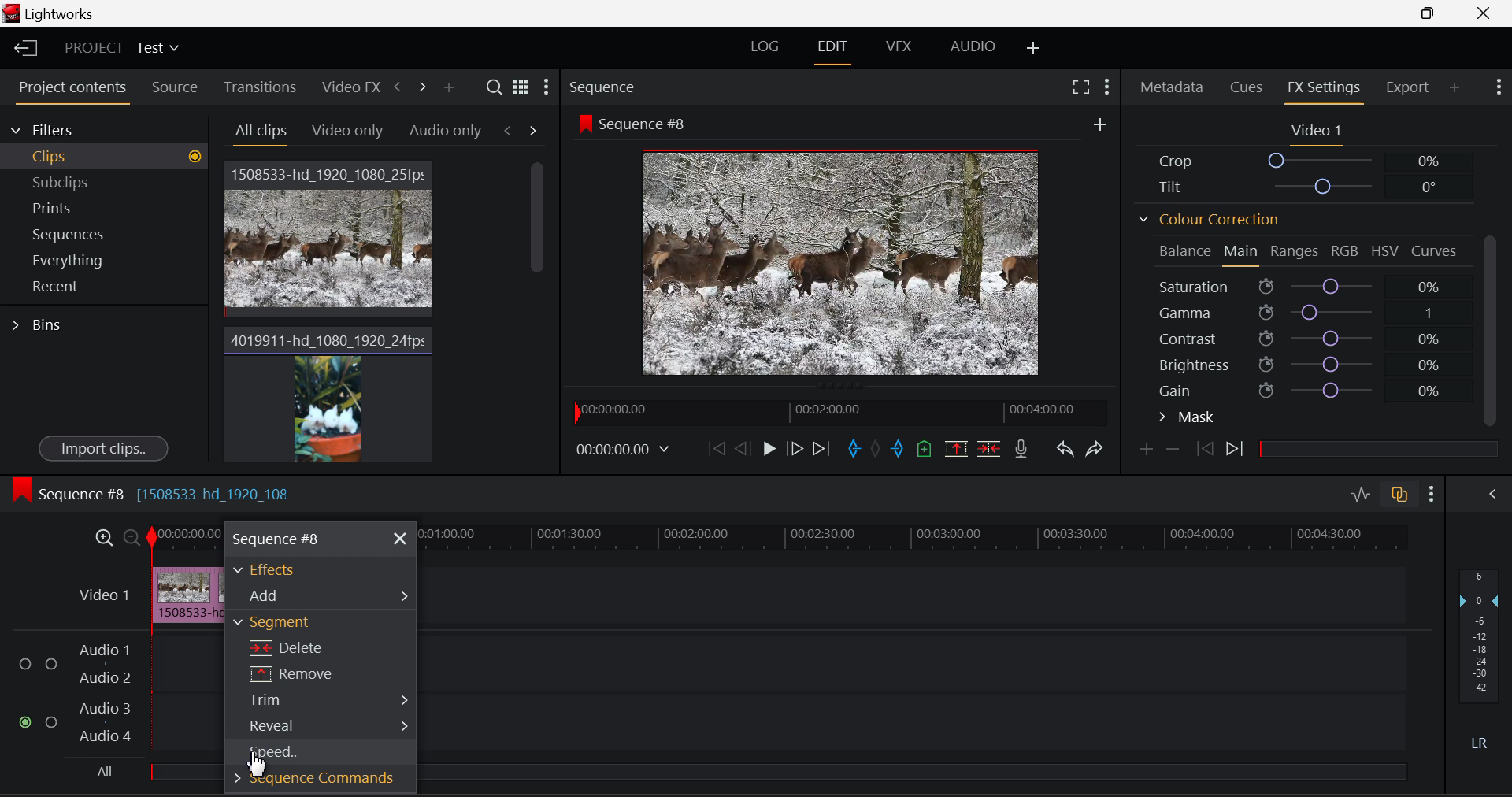  What do you see at coordinates (1489, 332) in the screenshot?
I see `Scroll Bar` at bounding box center [1489, 332].